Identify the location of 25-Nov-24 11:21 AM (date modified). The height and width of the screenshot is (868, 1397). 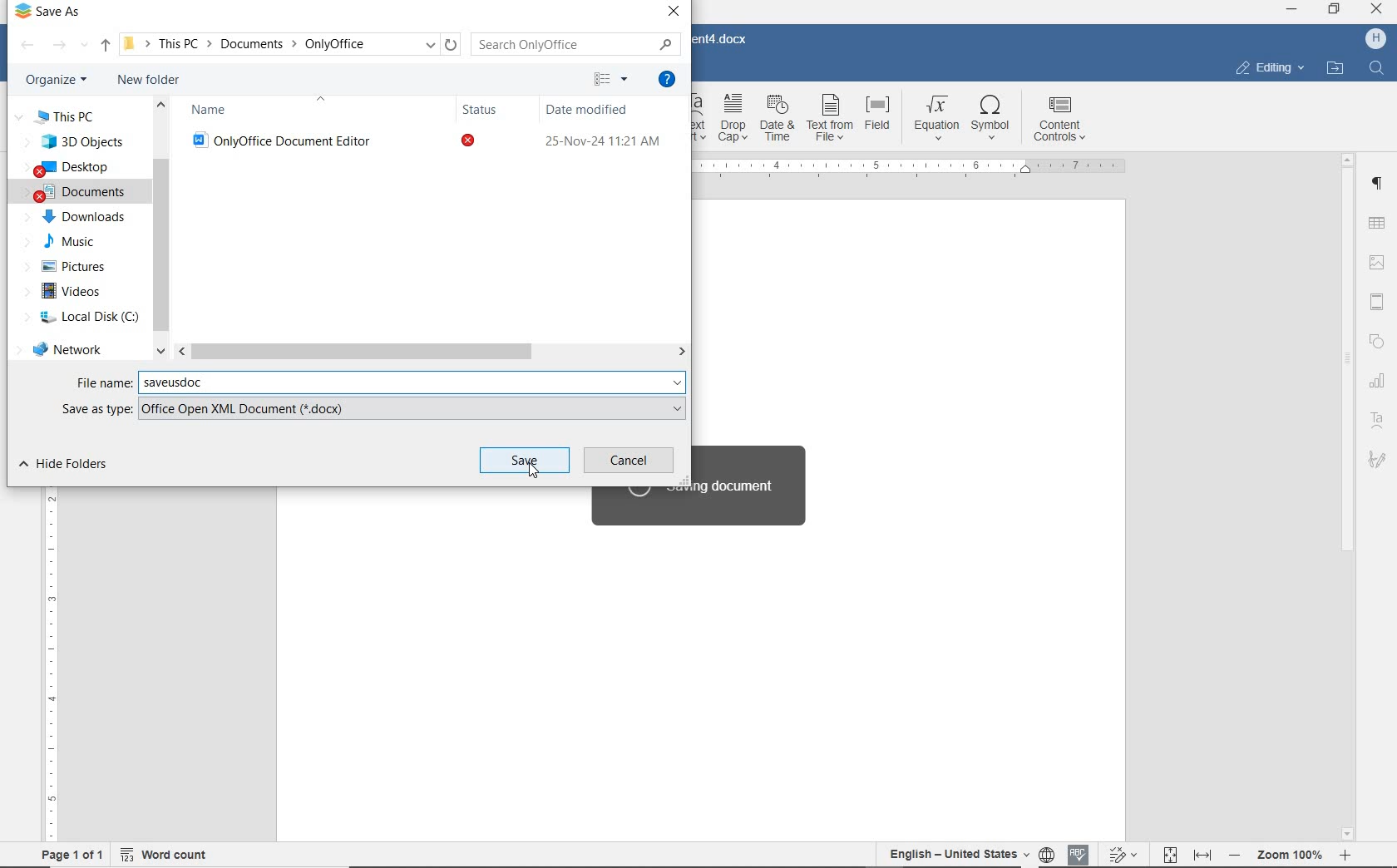
(605, 145).